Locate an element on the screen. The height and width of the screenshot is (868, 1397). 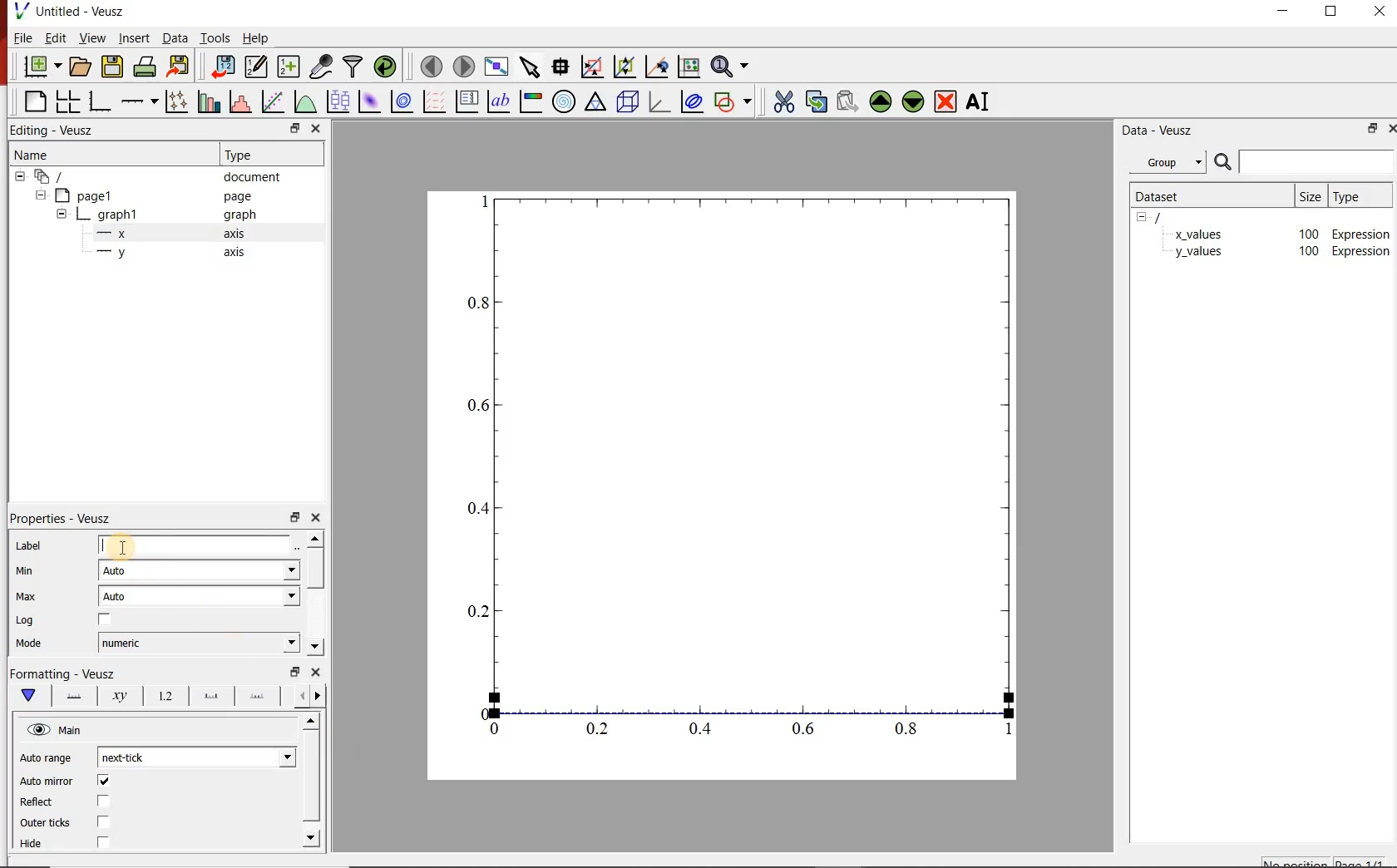
export to graphics format is located at coordinates (180, 66).